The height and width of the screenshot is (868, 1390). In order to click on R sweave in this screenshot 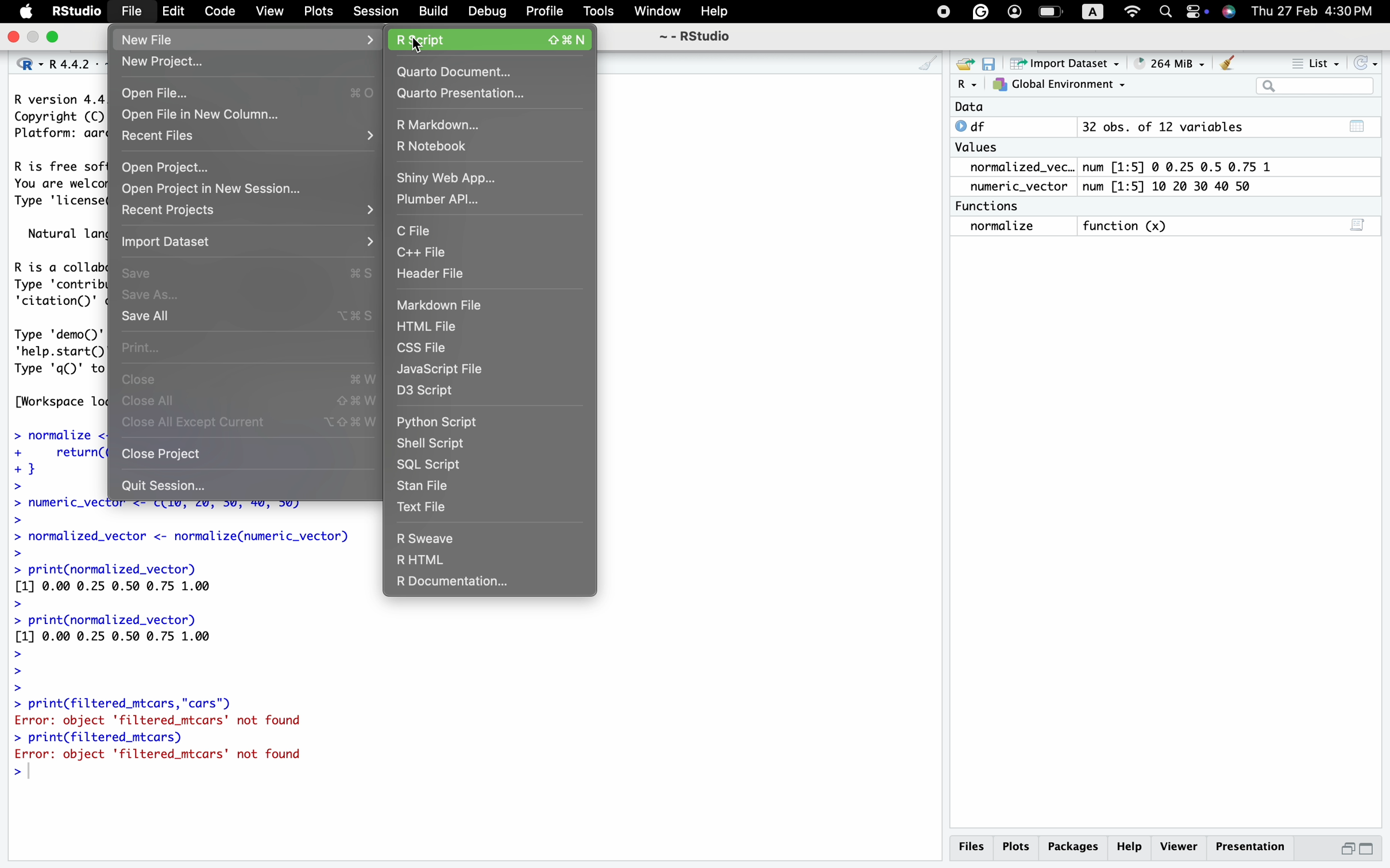, I will do `click(494, 537)`.